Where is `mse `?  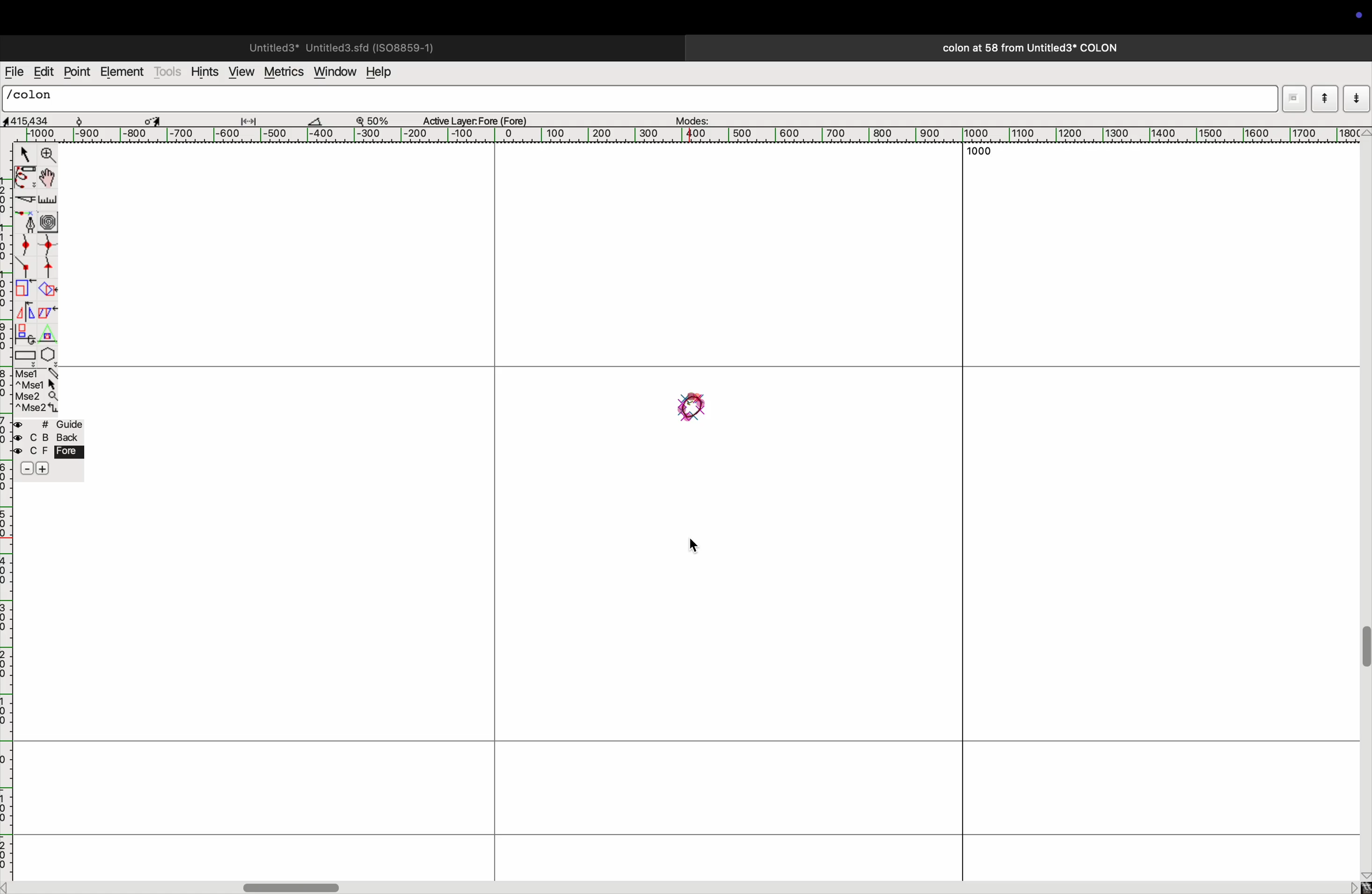 mse  is located at coordinates (35, 390).